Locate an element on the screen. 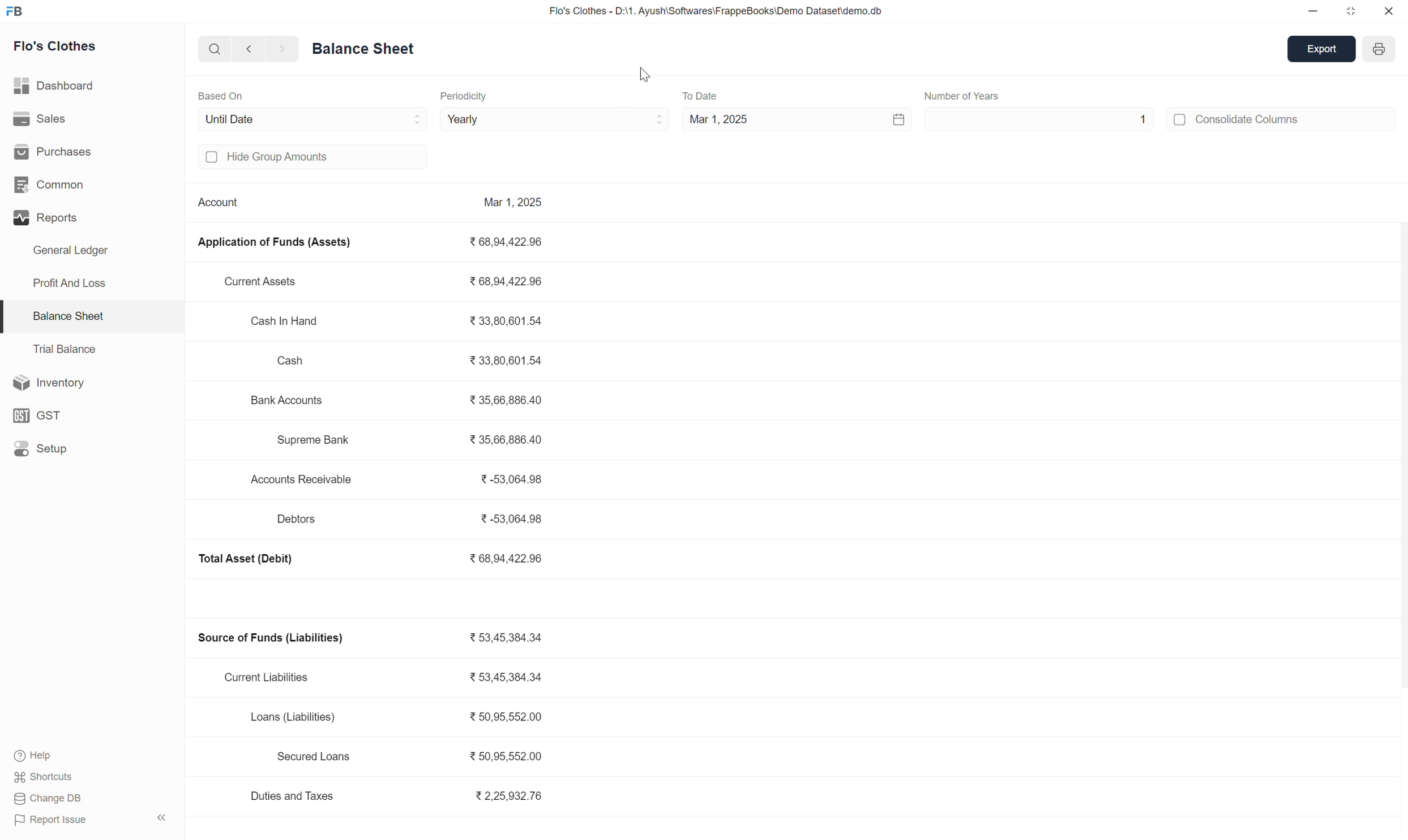  Hide group amounts is located at coordinates (282, 158).